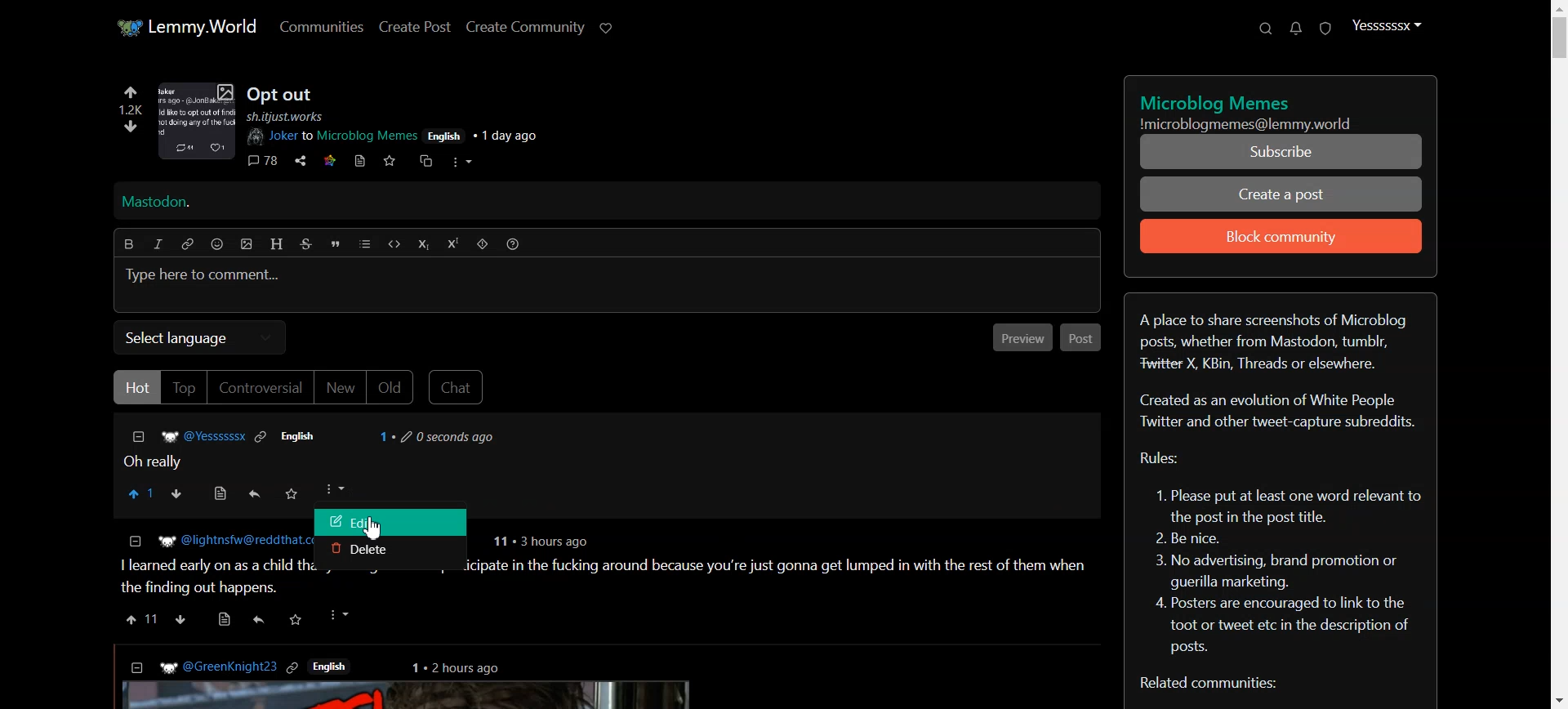 This screenshot has height=709, width=1568. I want to click on Reply, so click(255, 494).